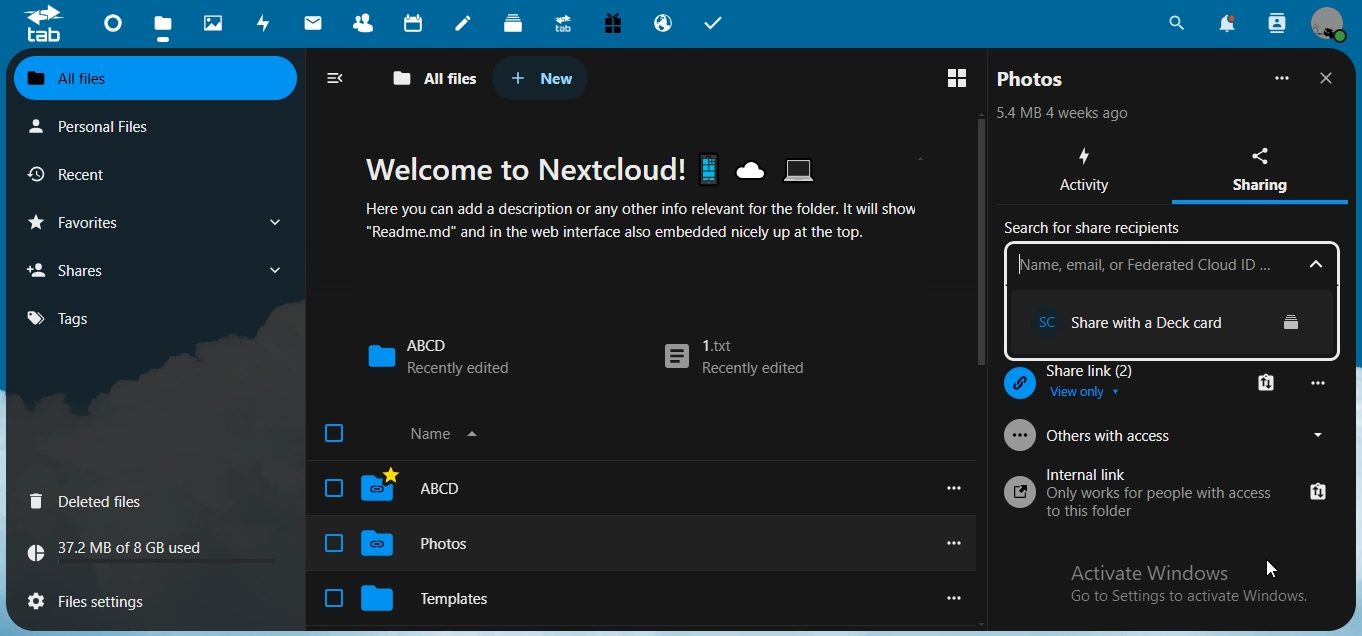  What do you see at coordinates (268, 23) in the screenshot?
I see `activity` at bounding box center [268, 23].